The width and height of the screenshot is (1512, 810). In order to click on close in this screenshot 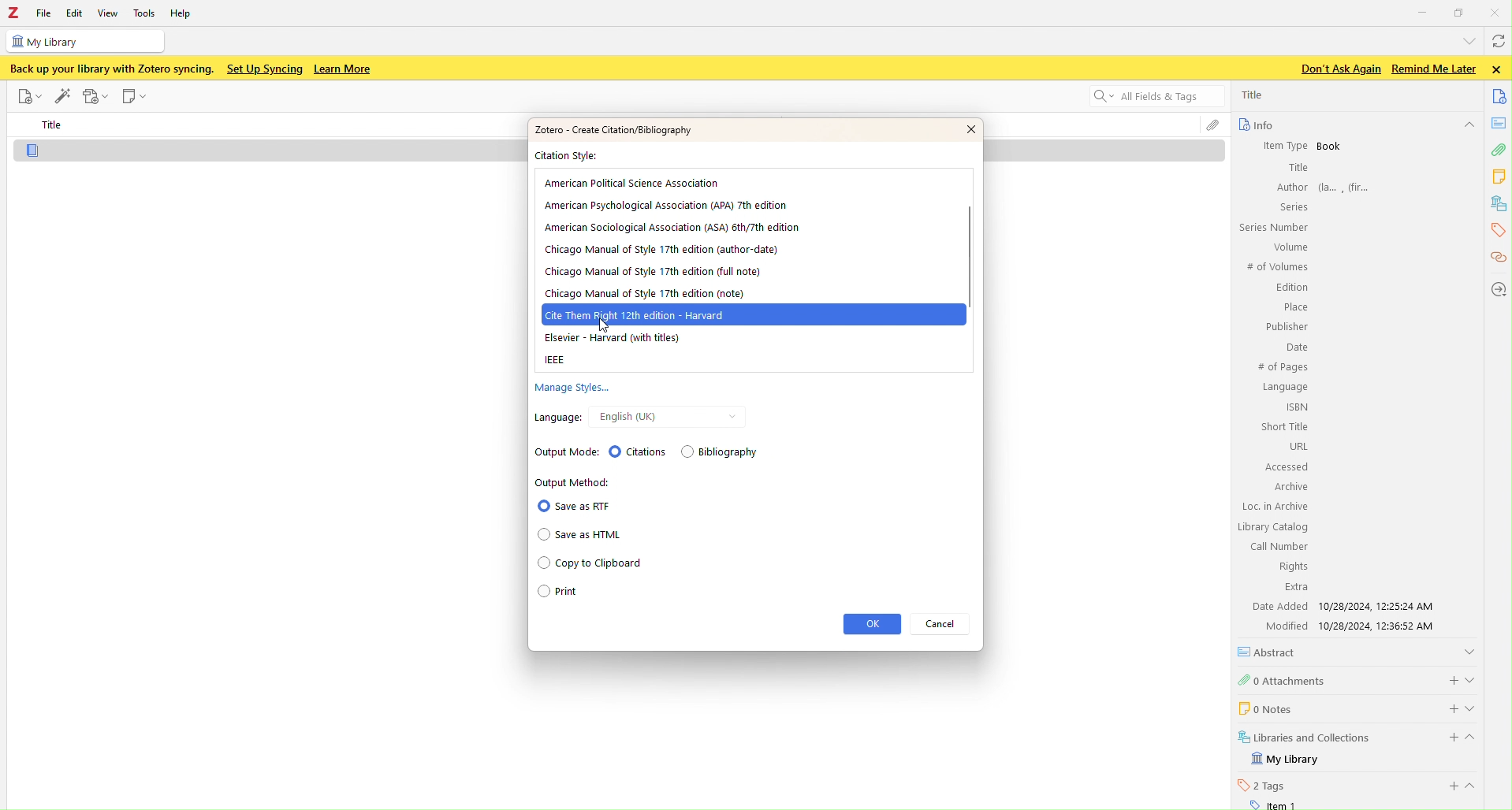, I will do `click(959, 129)`.